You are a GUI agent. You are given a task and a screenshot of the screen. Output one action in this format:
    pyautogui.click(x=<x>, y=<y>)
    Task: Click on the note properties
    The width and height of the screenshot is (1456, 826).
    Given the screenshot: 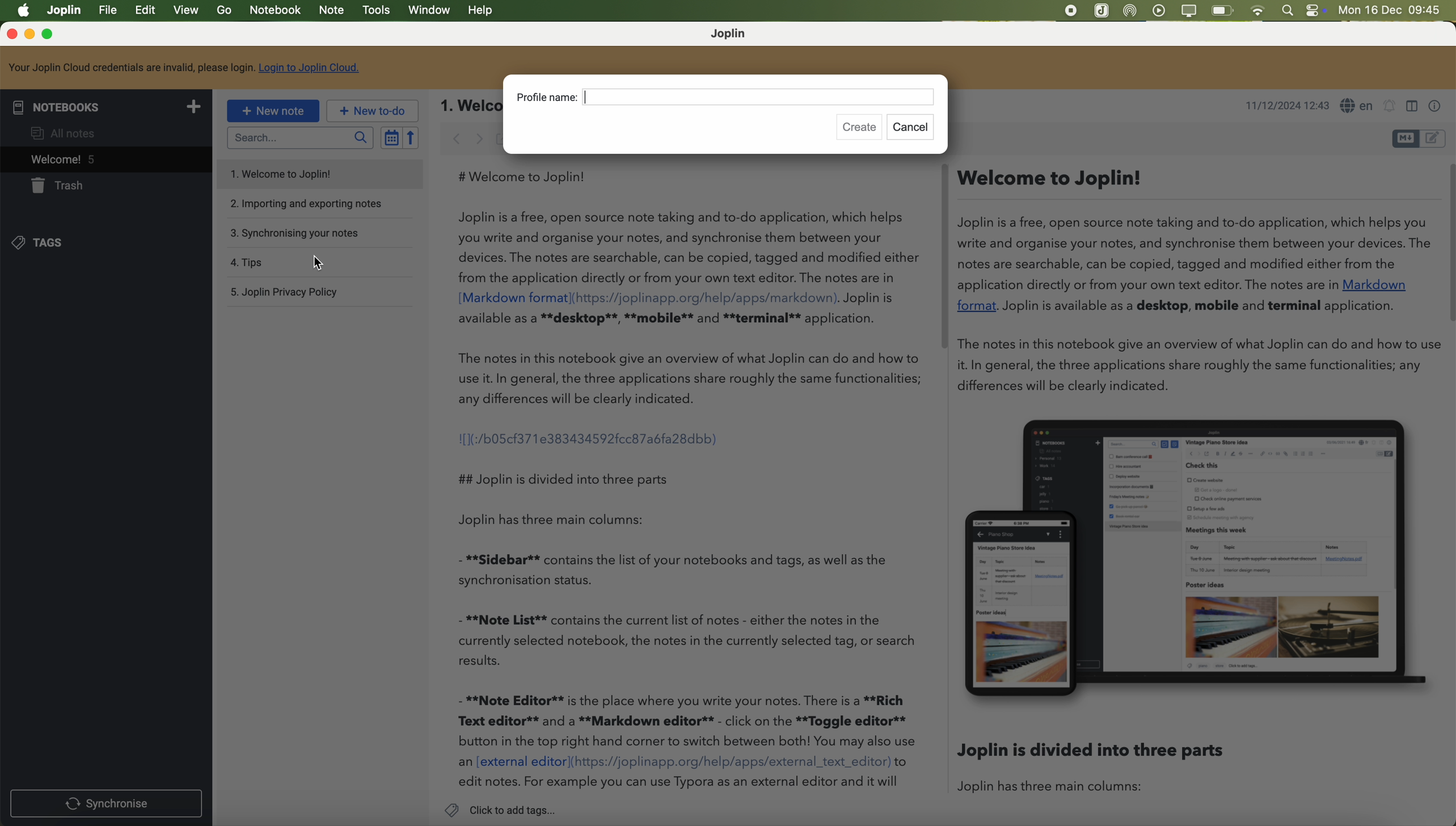 What is the action you would take?
    pyautogui.click(x=1438, y=107)
    